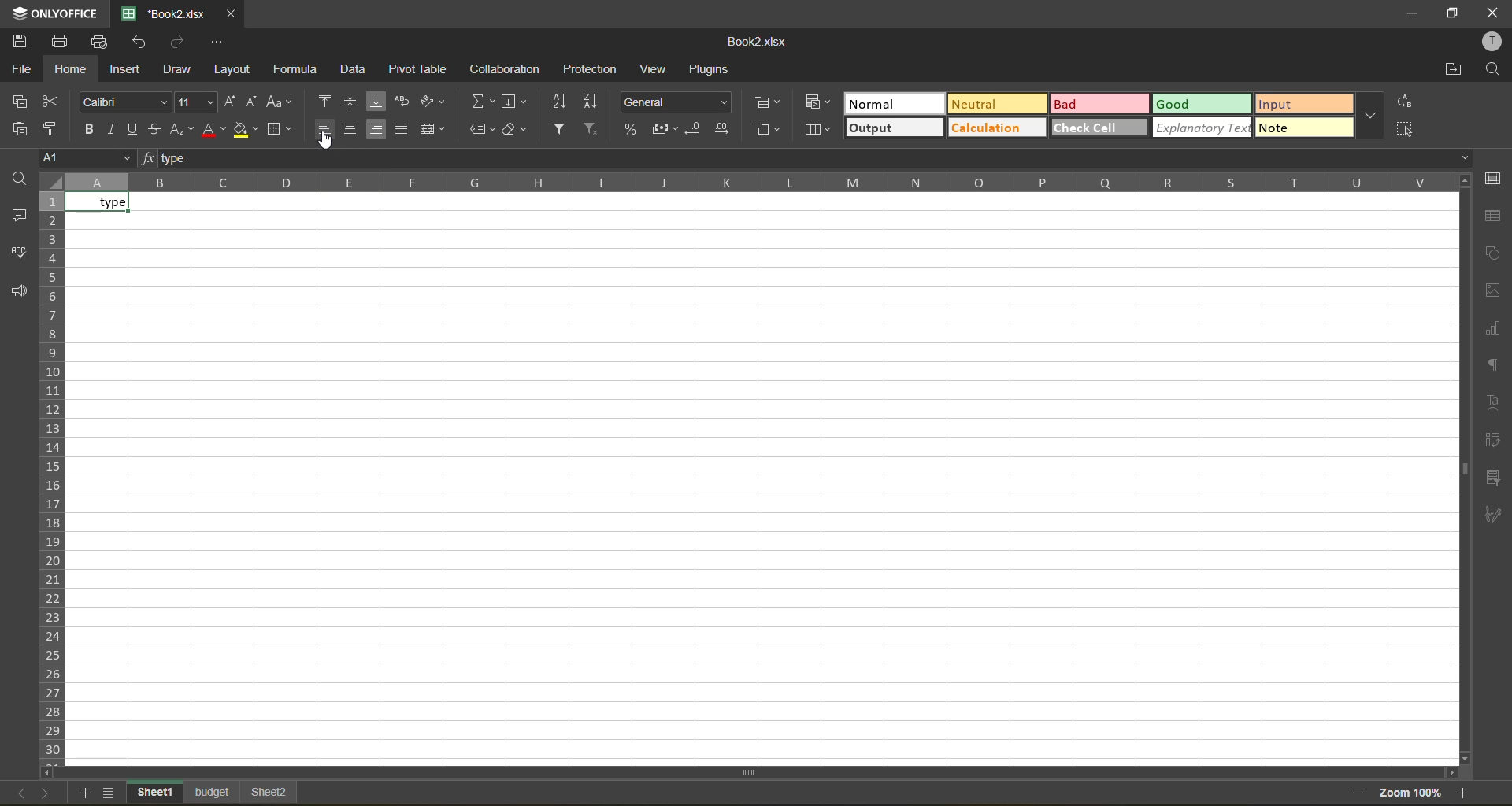  What do you see at coordinates (515, 130) in the screenshot?
I see `clear` at bounding box center [515, 130].